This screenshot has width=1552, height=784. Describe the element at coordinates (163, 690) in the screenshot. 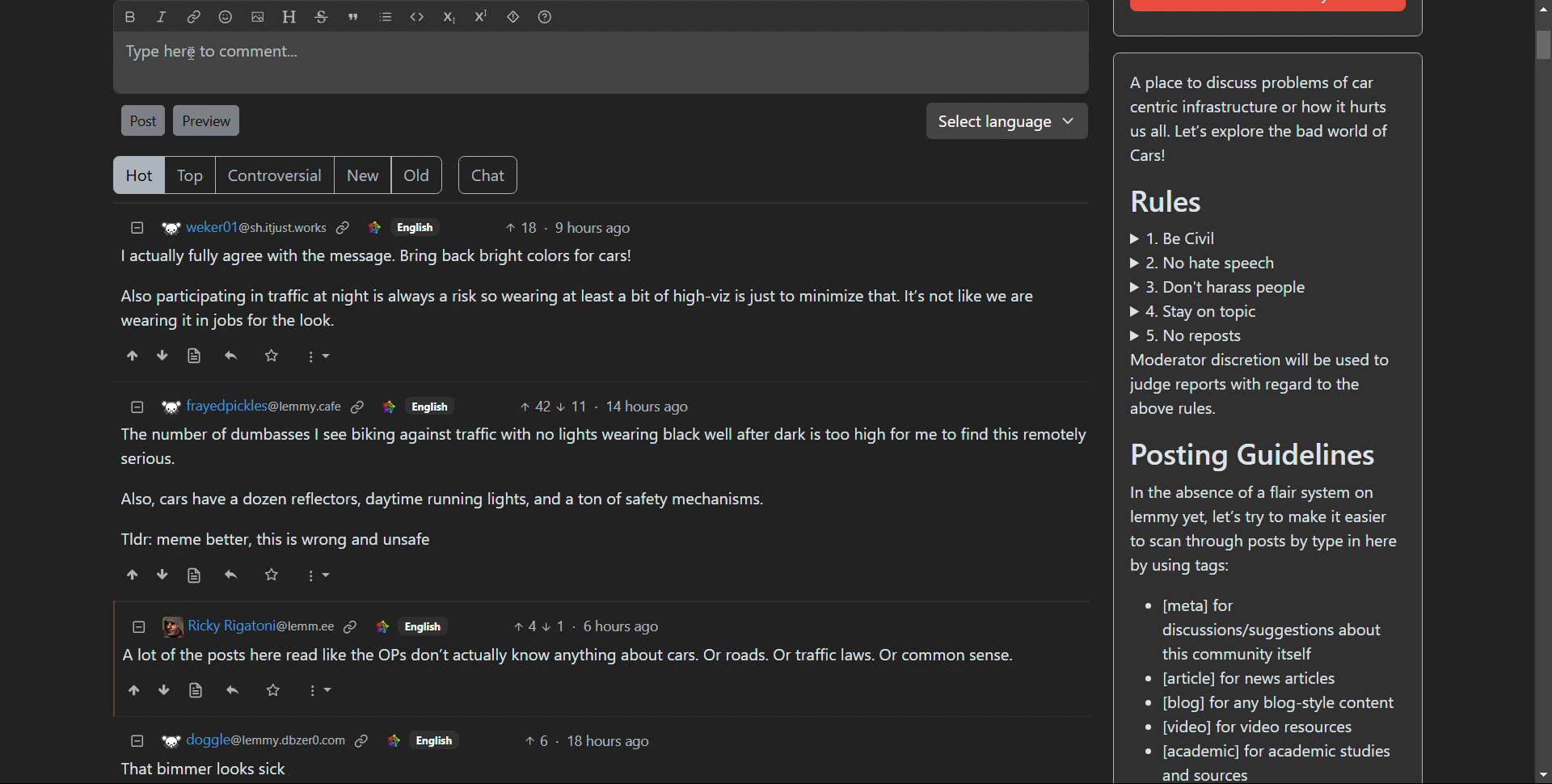

I see `downvote` at that location.